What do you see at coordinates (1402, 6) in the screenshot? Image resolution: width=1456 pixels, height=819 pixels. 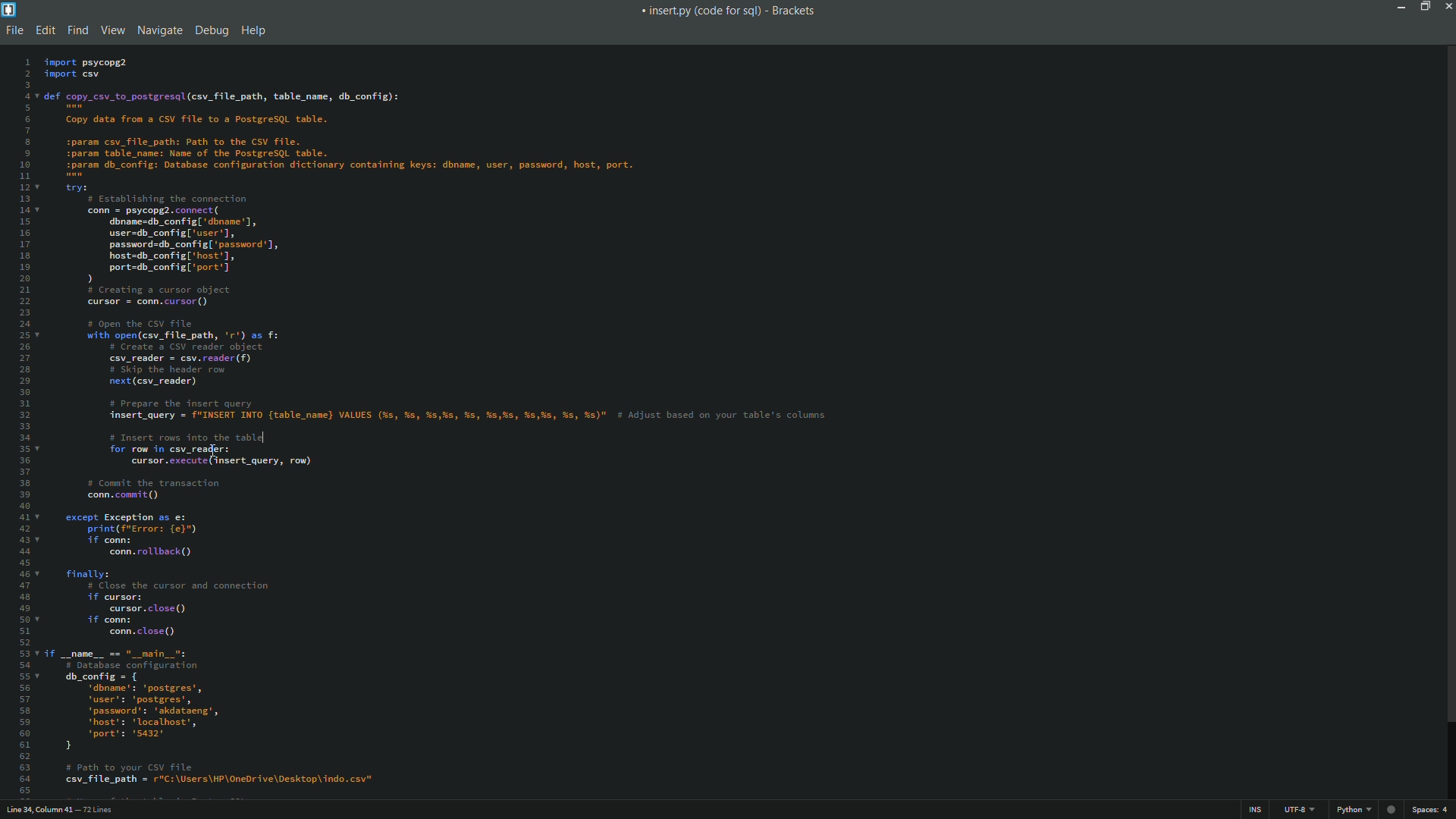 I see `minimize` at bounding box center [1402, 6].